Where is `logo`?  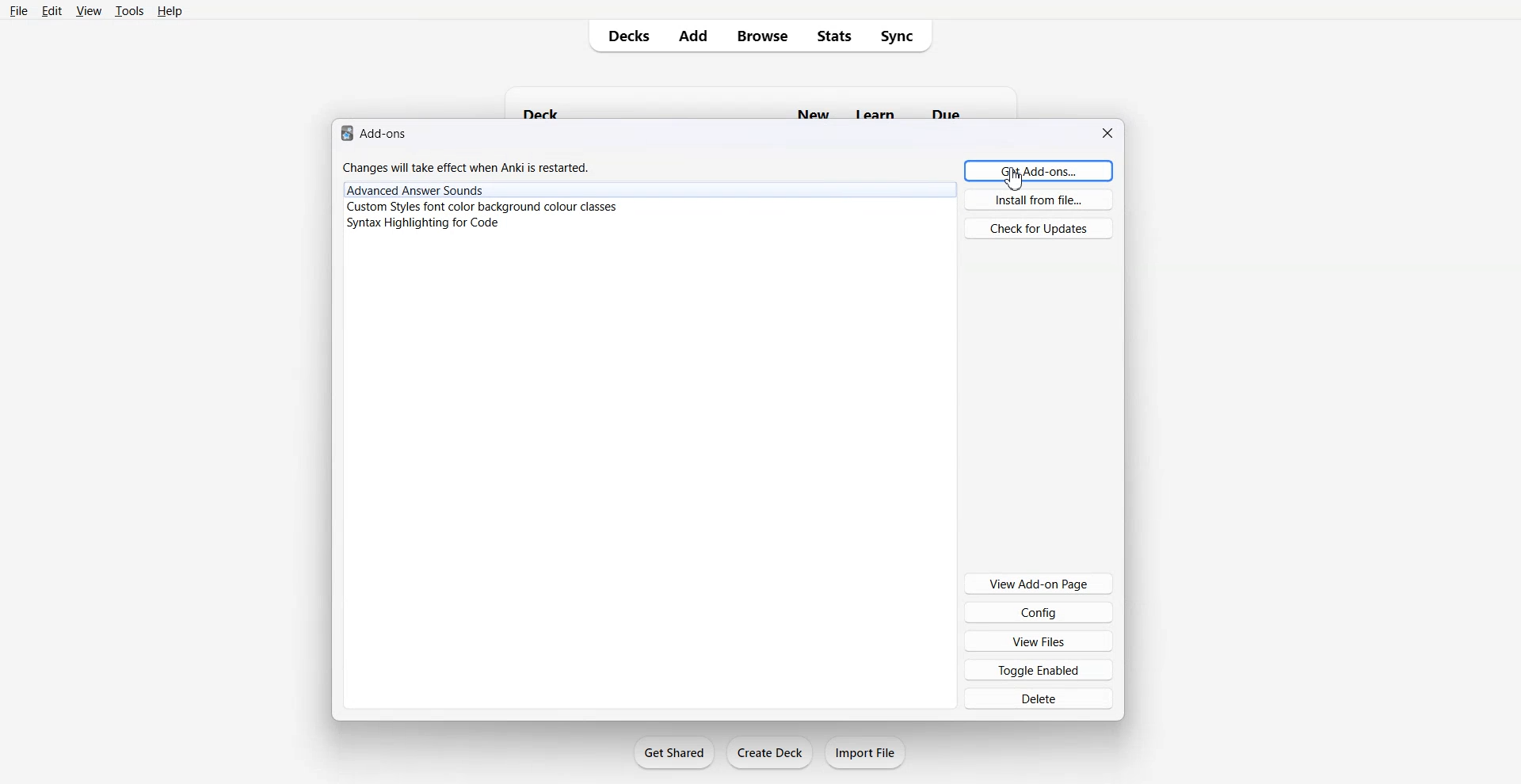
logo is located at coordinates (345, 134).